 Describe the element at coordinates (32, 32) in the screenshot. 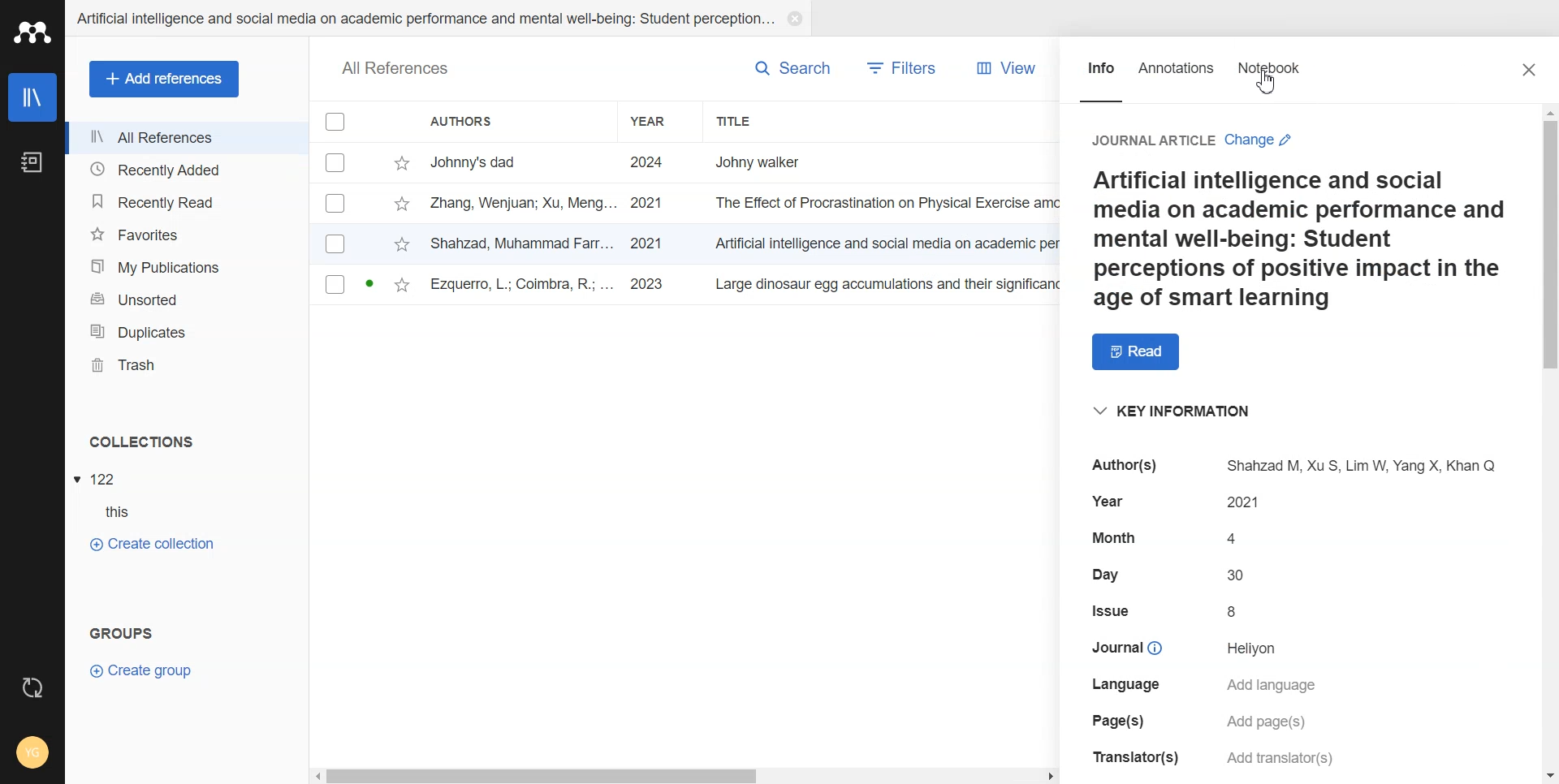

I see `Logo` at that location.